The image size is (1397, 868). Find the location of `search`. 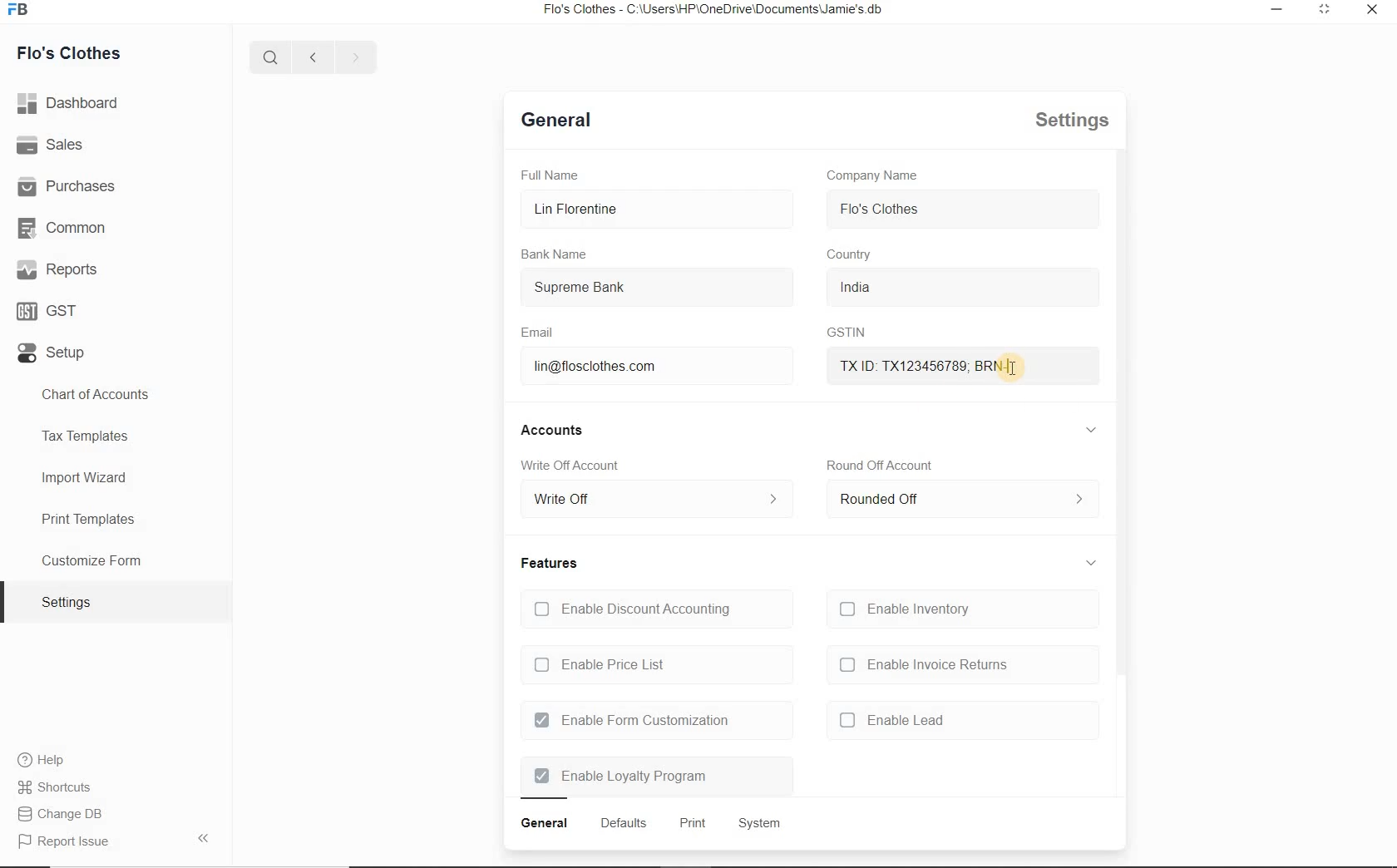

search is located at coordinates (274, 57).